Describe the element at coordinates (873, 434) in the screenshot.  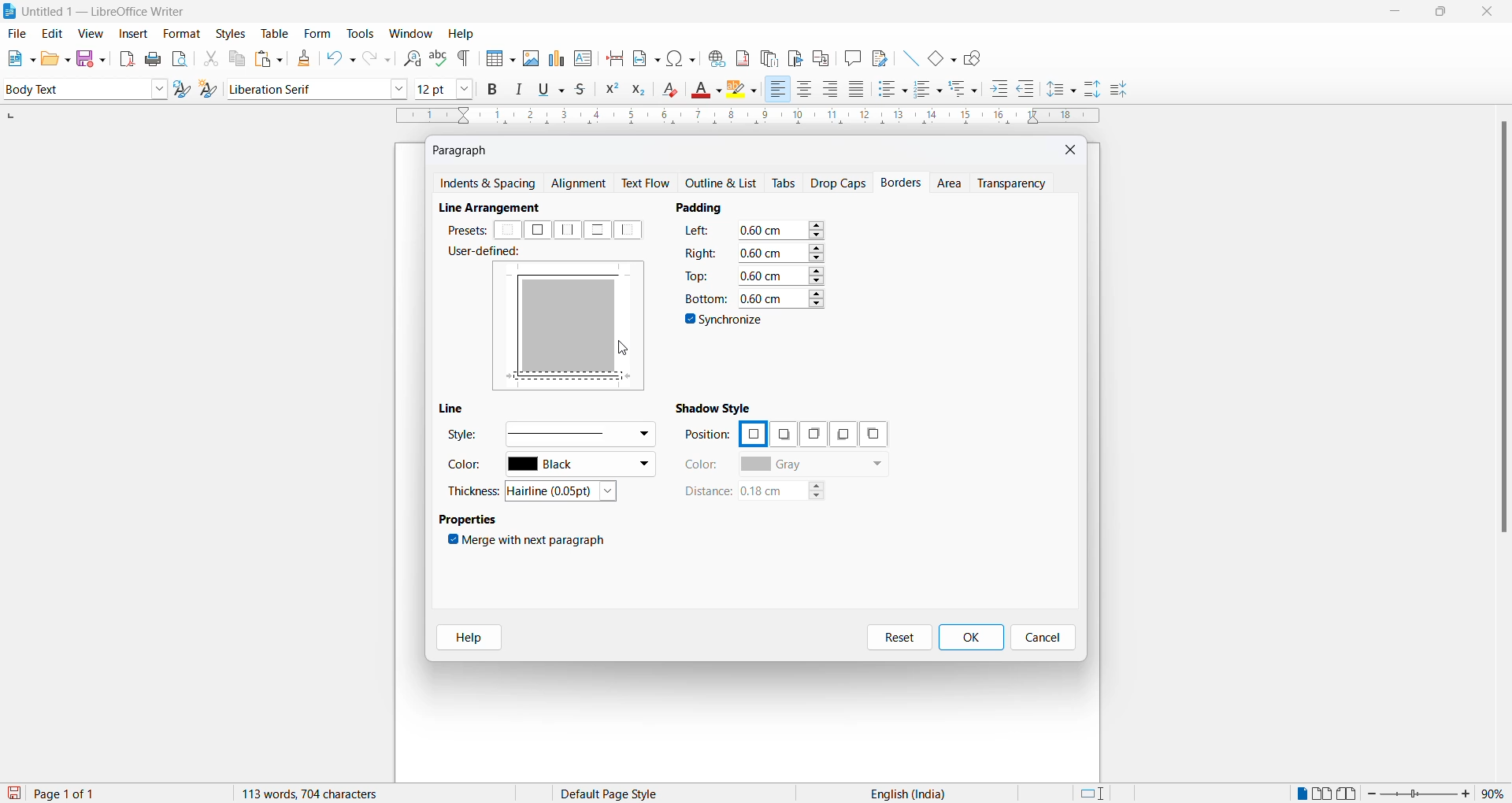
I see `position options` at that location.